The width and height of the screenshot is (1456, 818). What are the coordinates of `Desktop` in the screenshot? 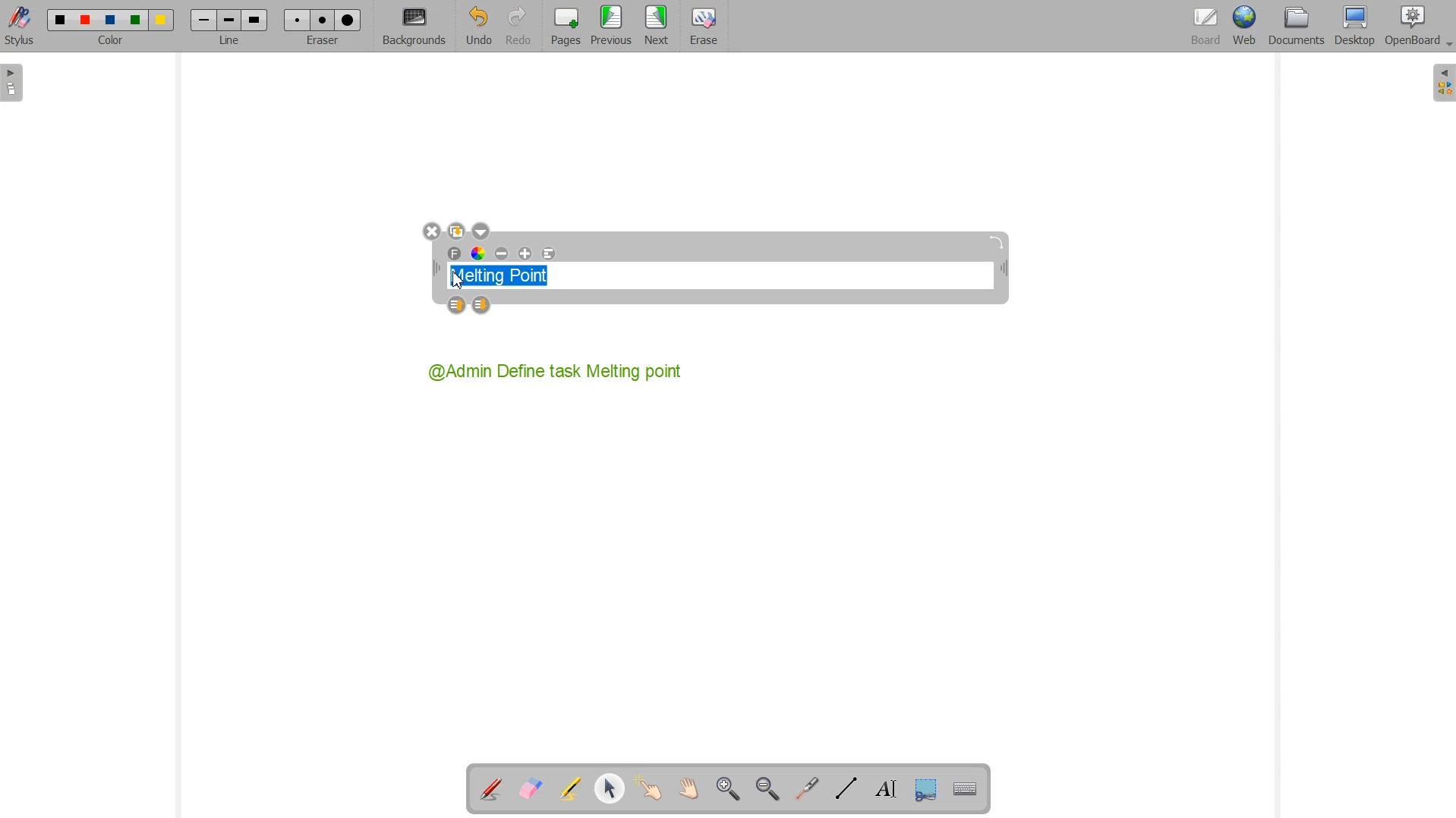 It's located at (1356, 27).